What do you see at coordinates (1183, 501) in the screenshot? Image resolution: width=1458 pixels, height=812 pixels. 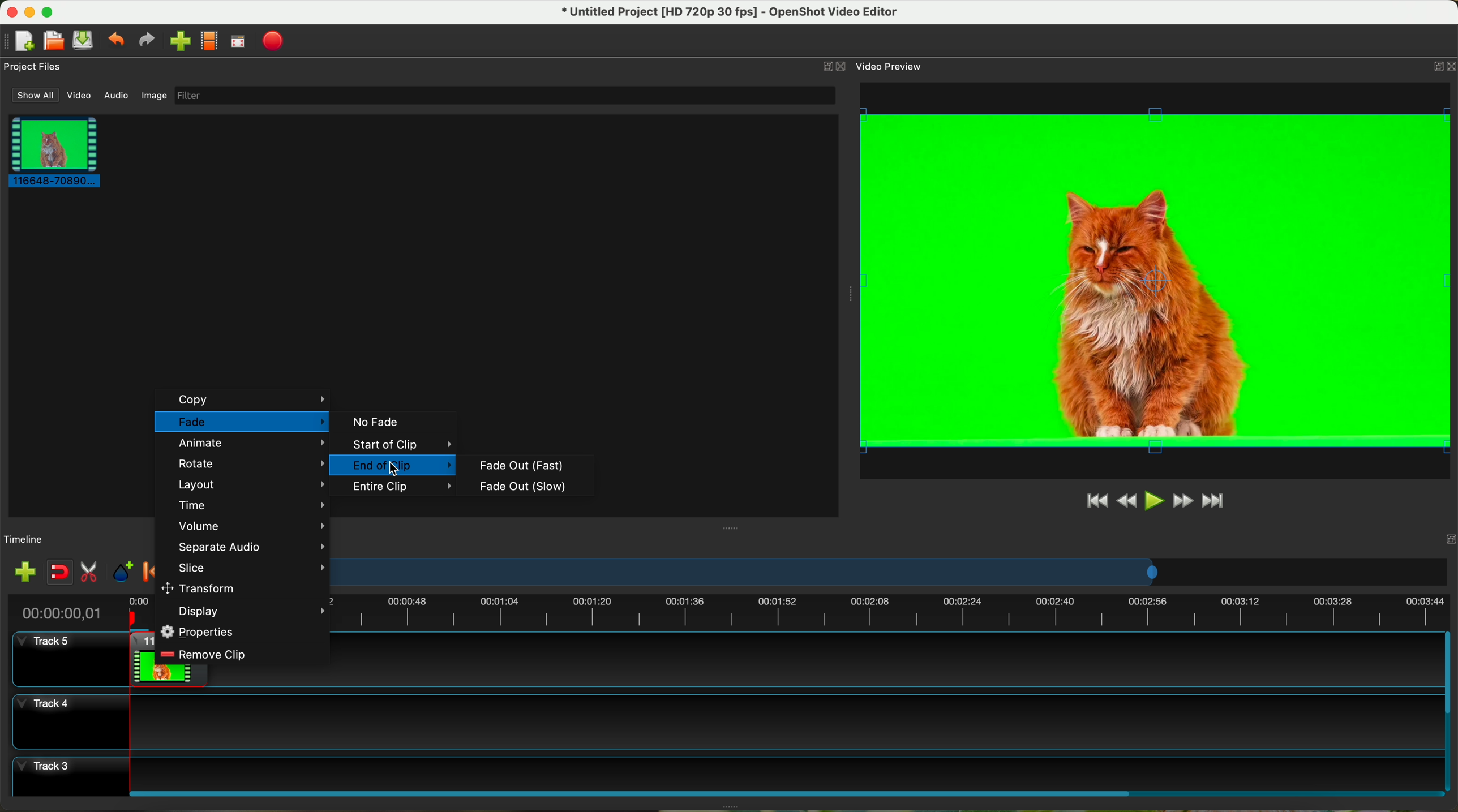 I see `fast foward` at bounding box center [1183, 501].